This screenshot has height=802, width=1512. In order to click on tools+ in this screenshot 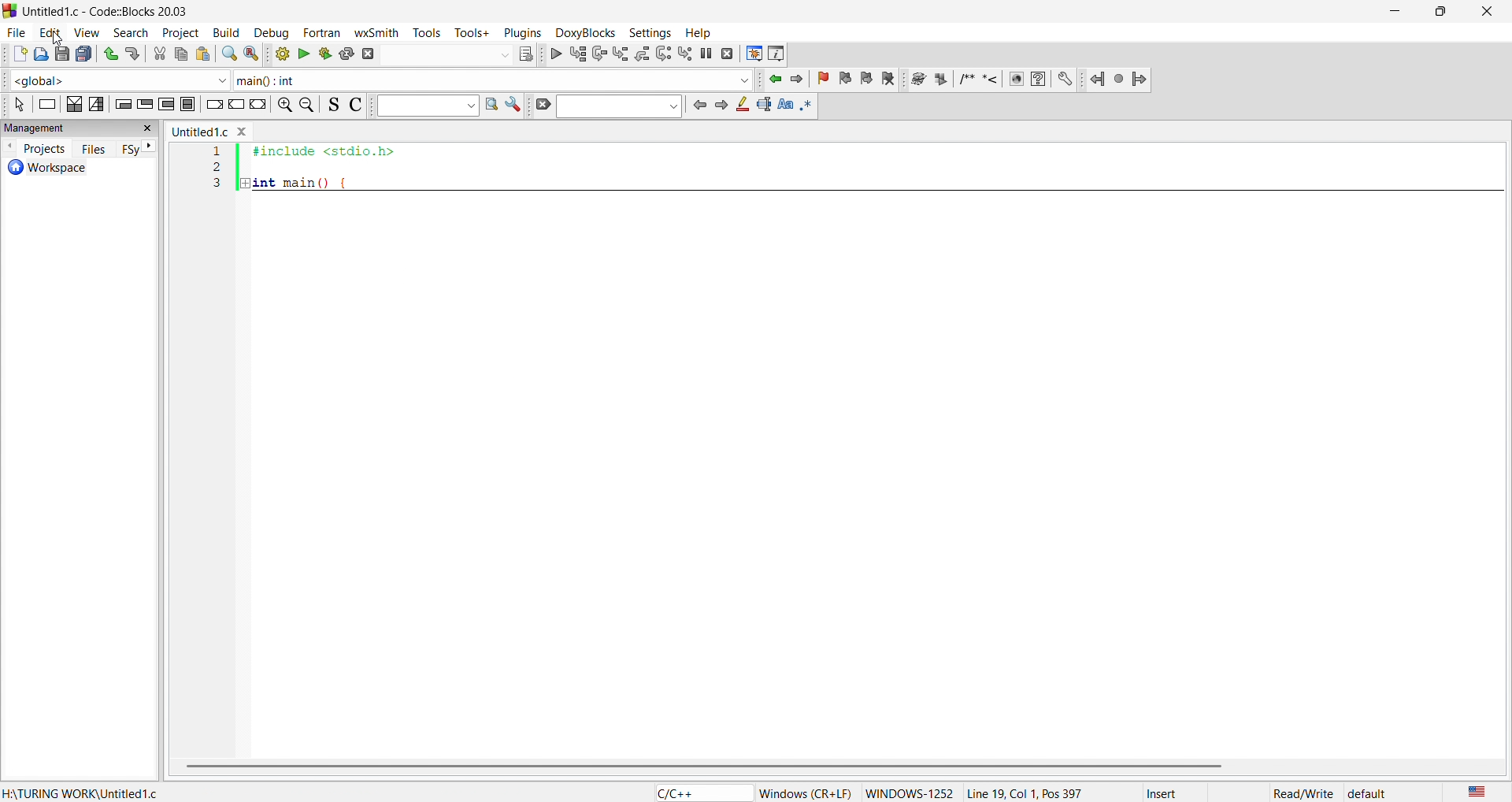, I will do `click(472, 32)`.